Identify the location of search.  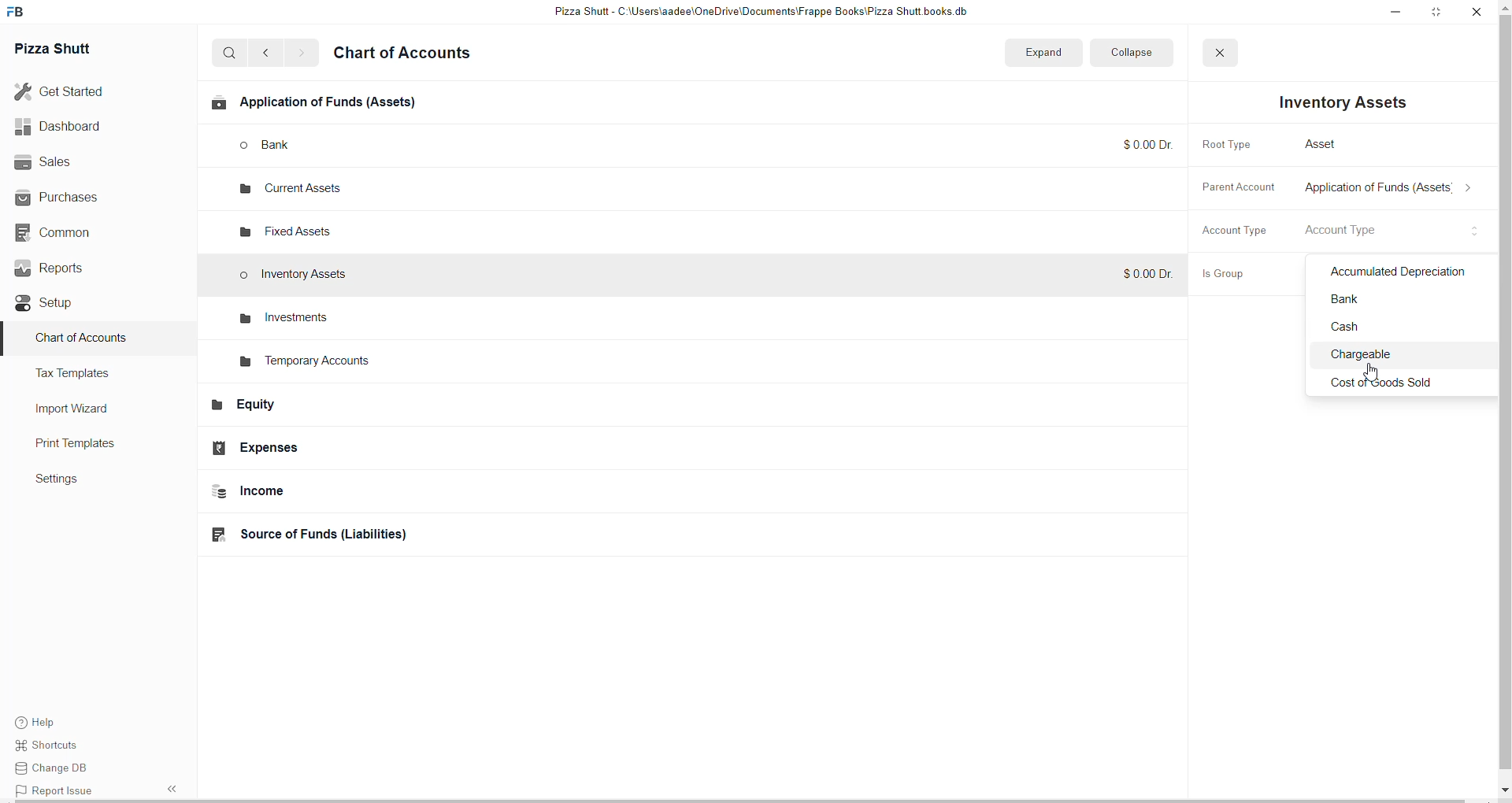
(230, 54).